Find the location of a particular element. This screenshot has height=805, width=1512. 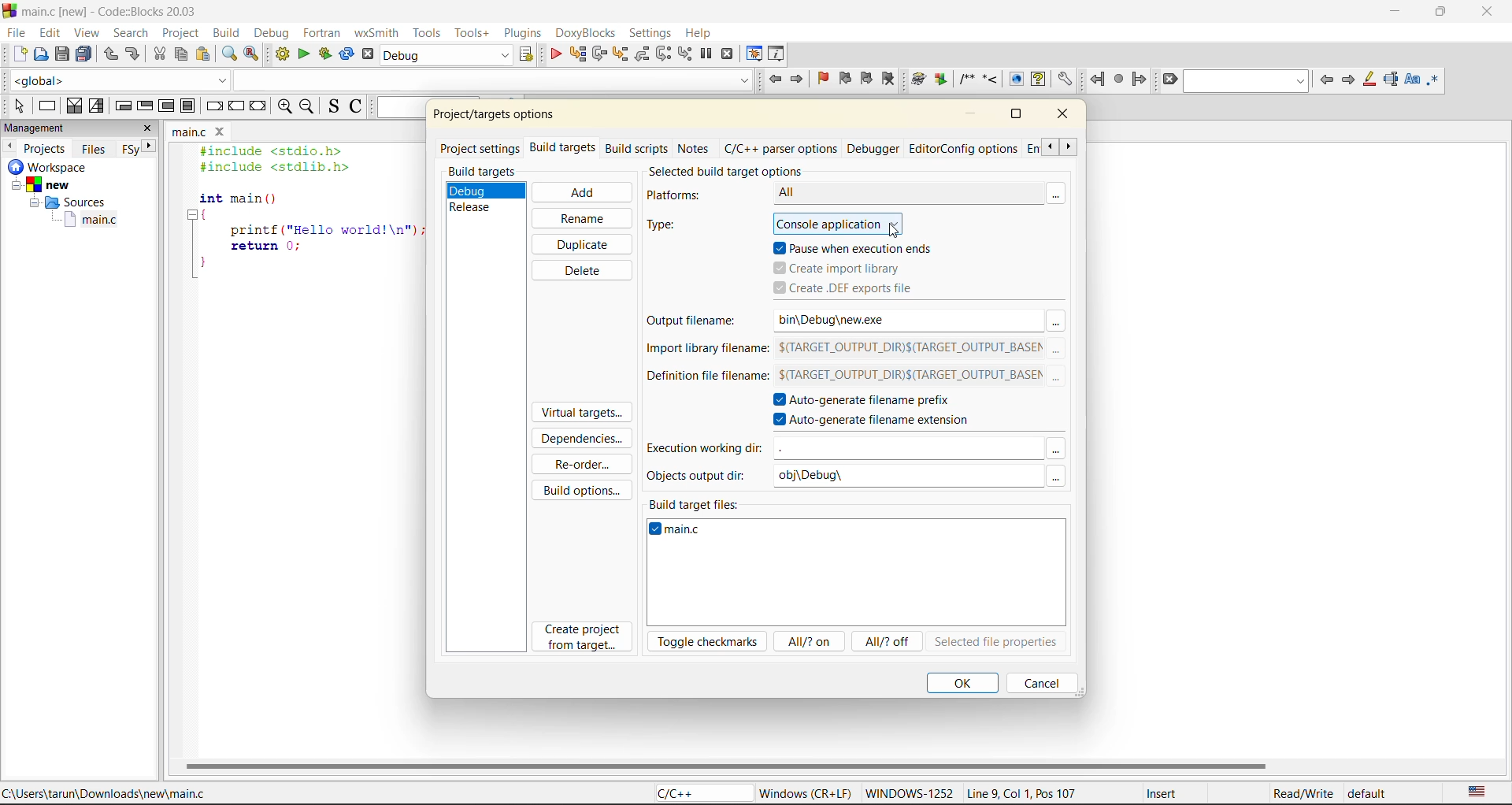

Windows (CR+LF) is located at coordinates (802, 792).